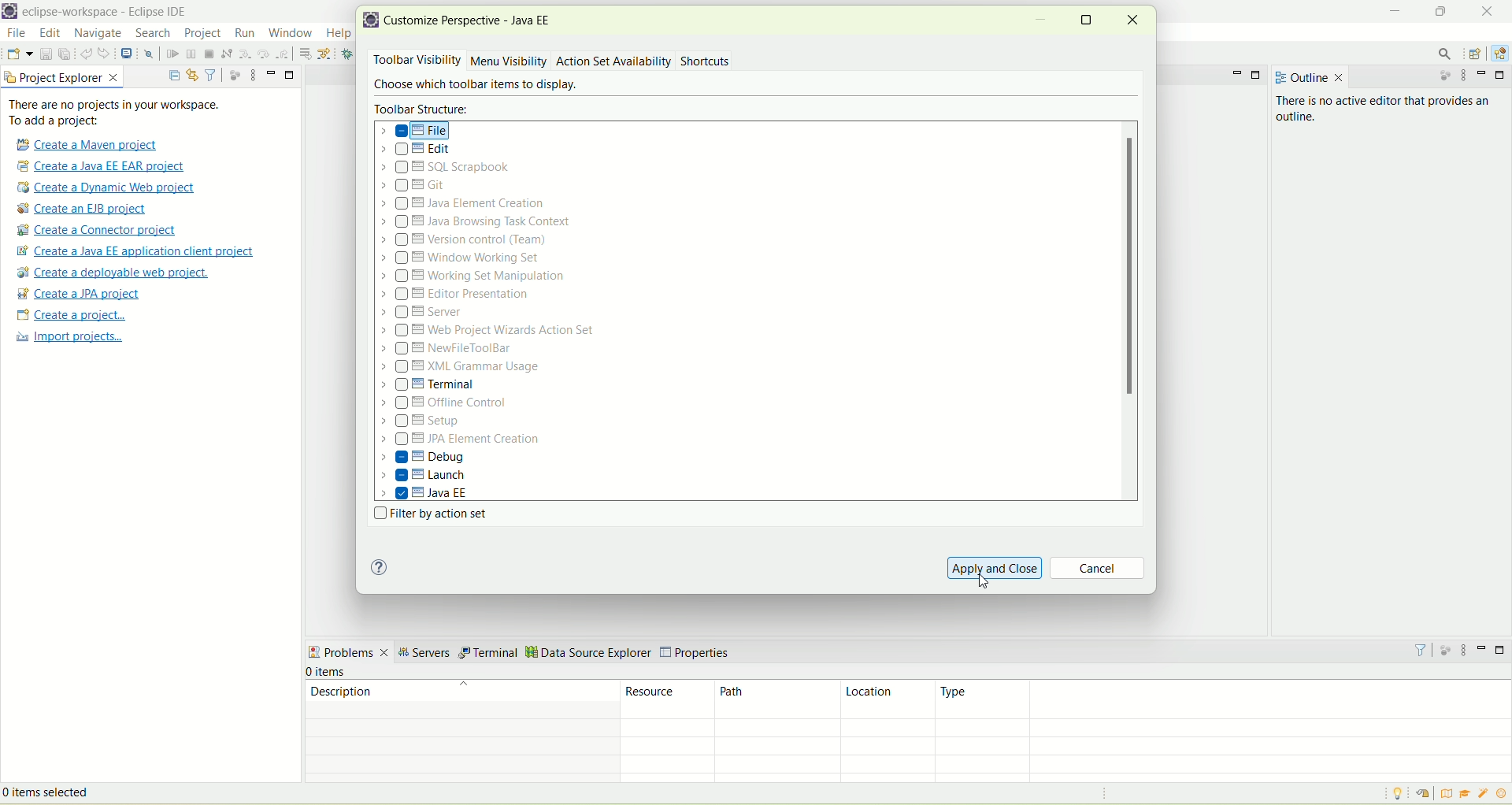  I want to click on newfiletoolbar, so click(447, 350).